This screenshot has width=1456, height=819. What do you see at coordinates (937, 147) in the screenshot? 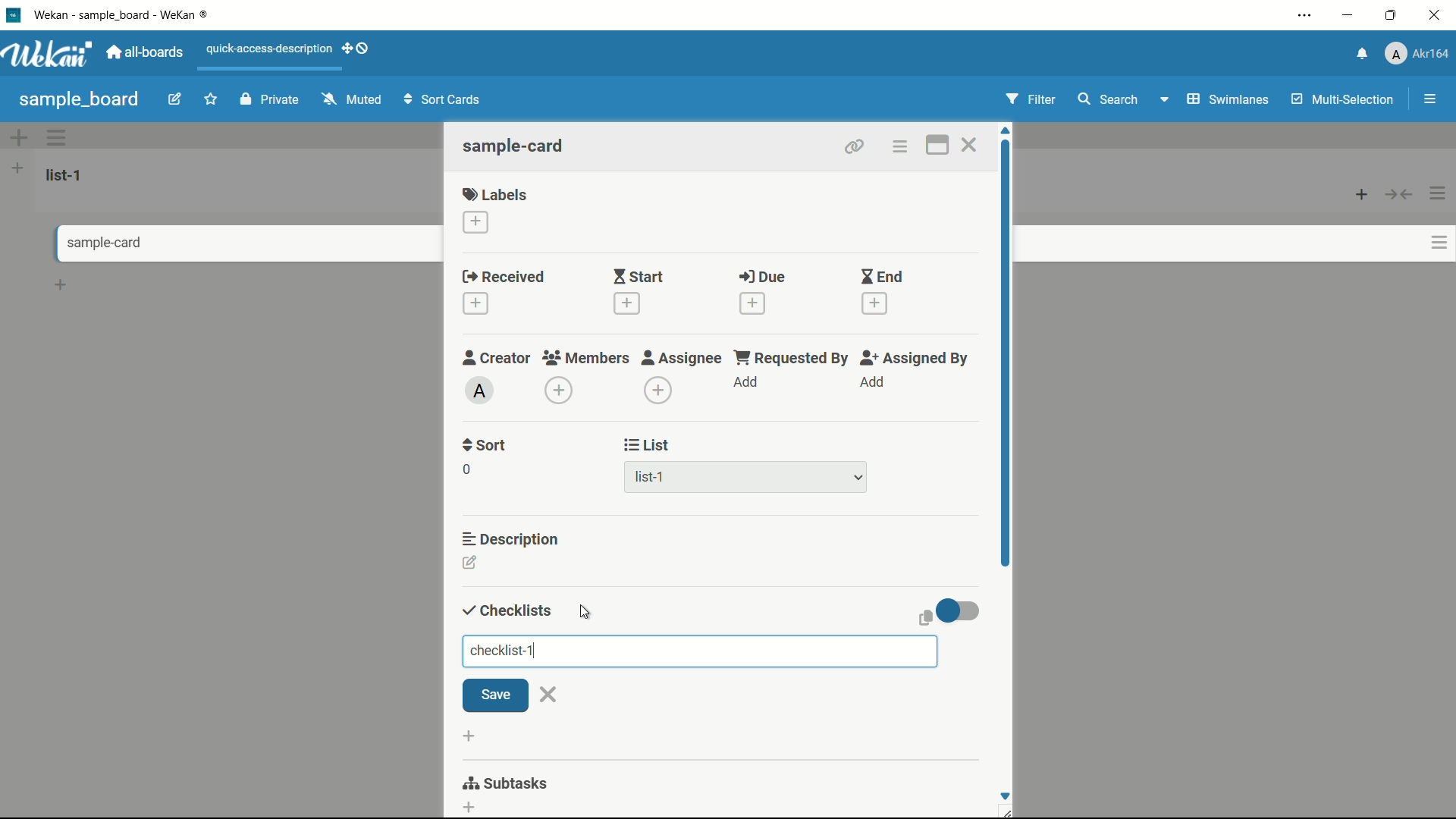
I see `maximize card` at bounding box center [937, 147].